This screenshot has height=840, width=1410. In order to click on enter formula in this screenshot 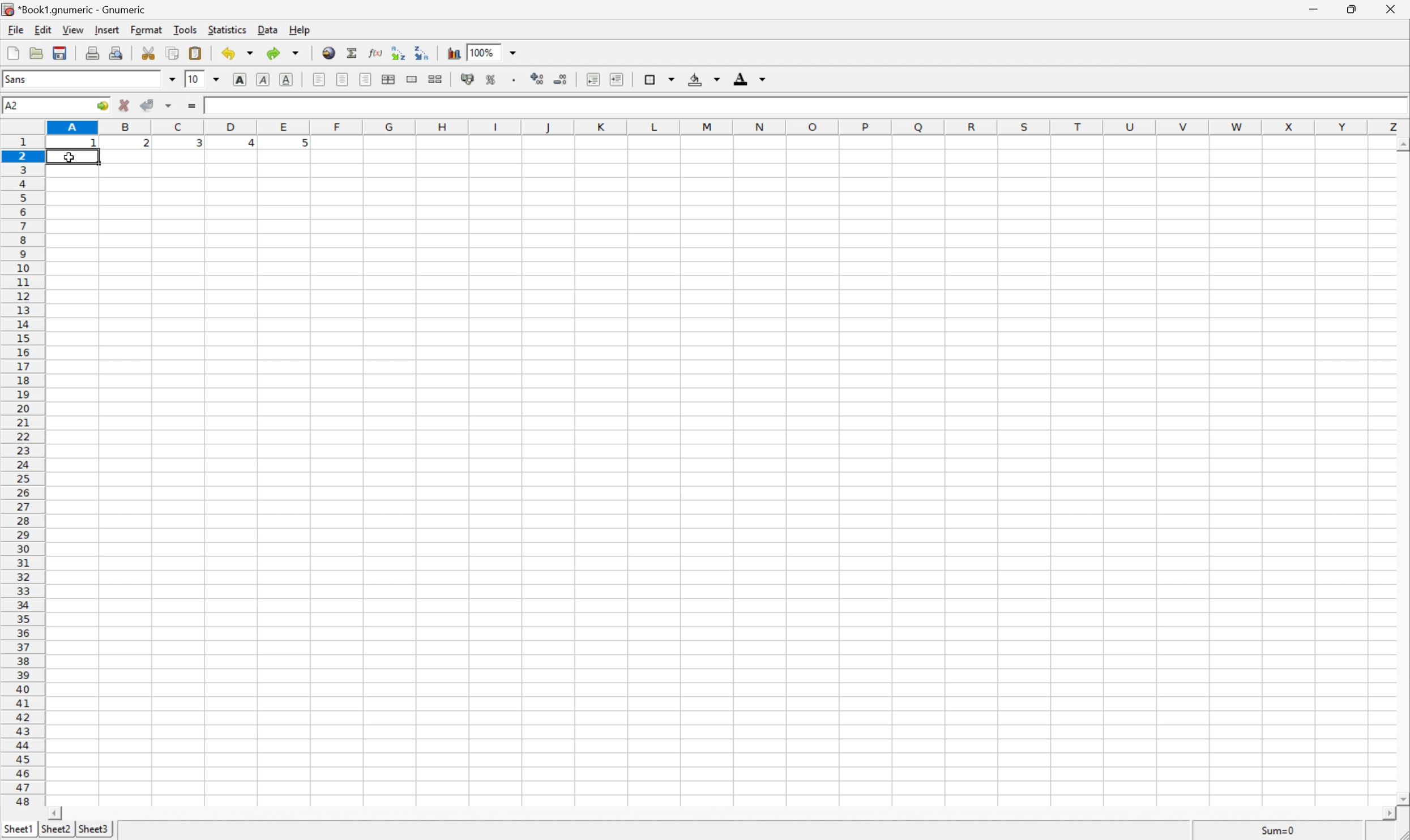, I will do `click(191, 106)`.